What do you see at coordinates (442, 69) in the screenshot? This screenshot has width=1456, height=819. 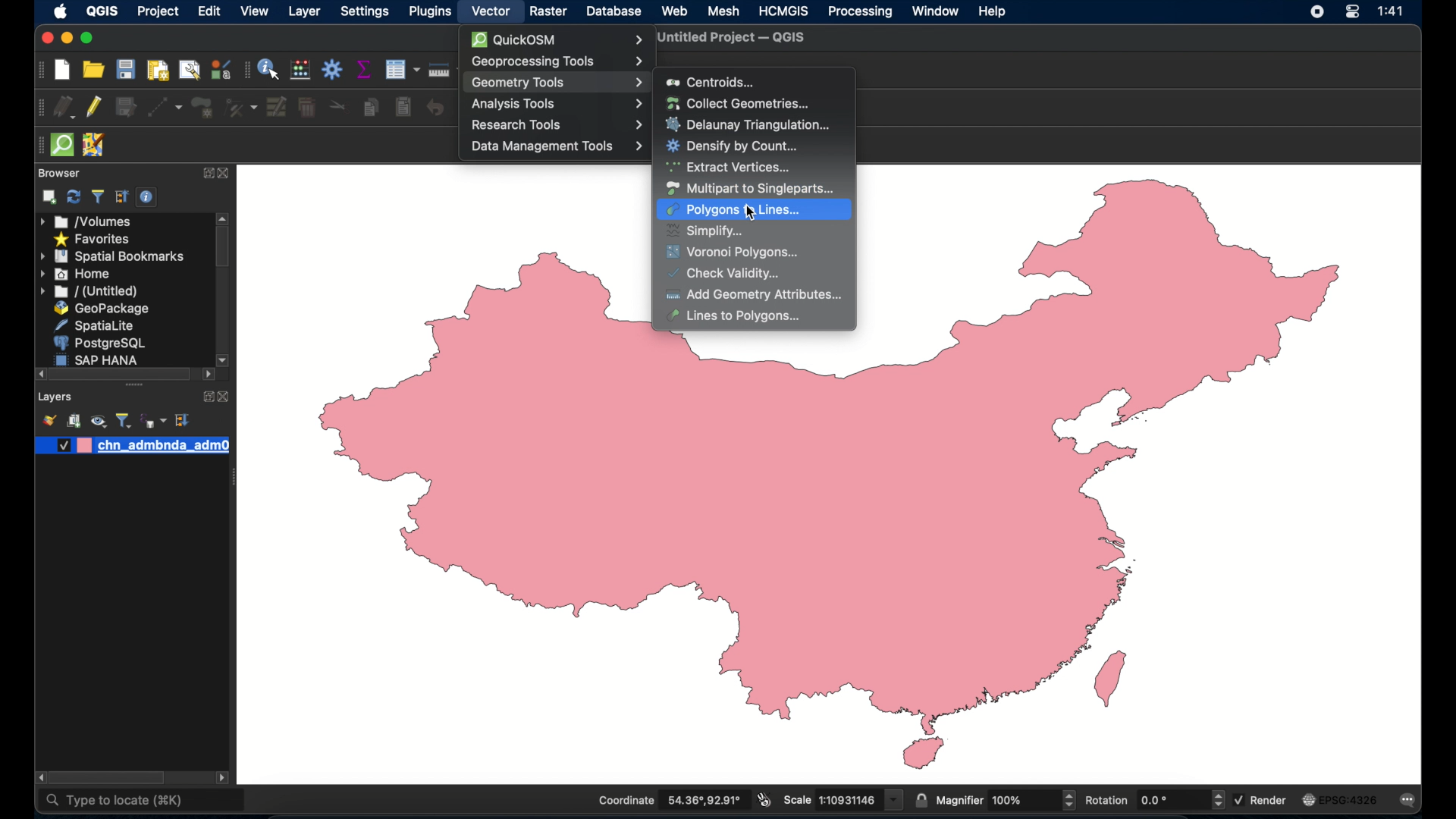 I see `measure line` at bounding box center [442, 69].